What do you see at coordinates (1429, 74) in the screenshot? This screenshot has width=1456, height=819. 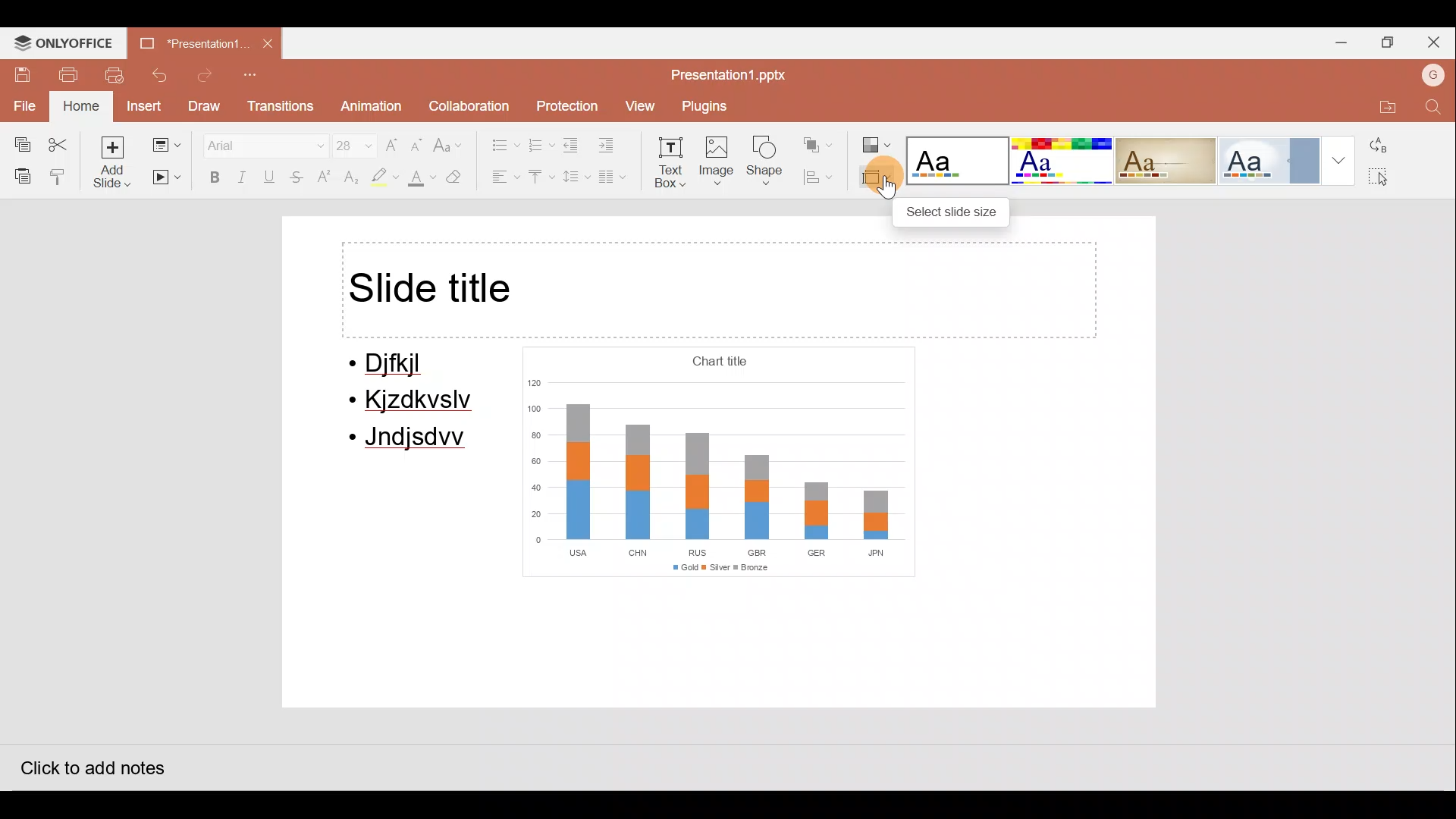 I see `Account name` at bounding box center [1429, 74].